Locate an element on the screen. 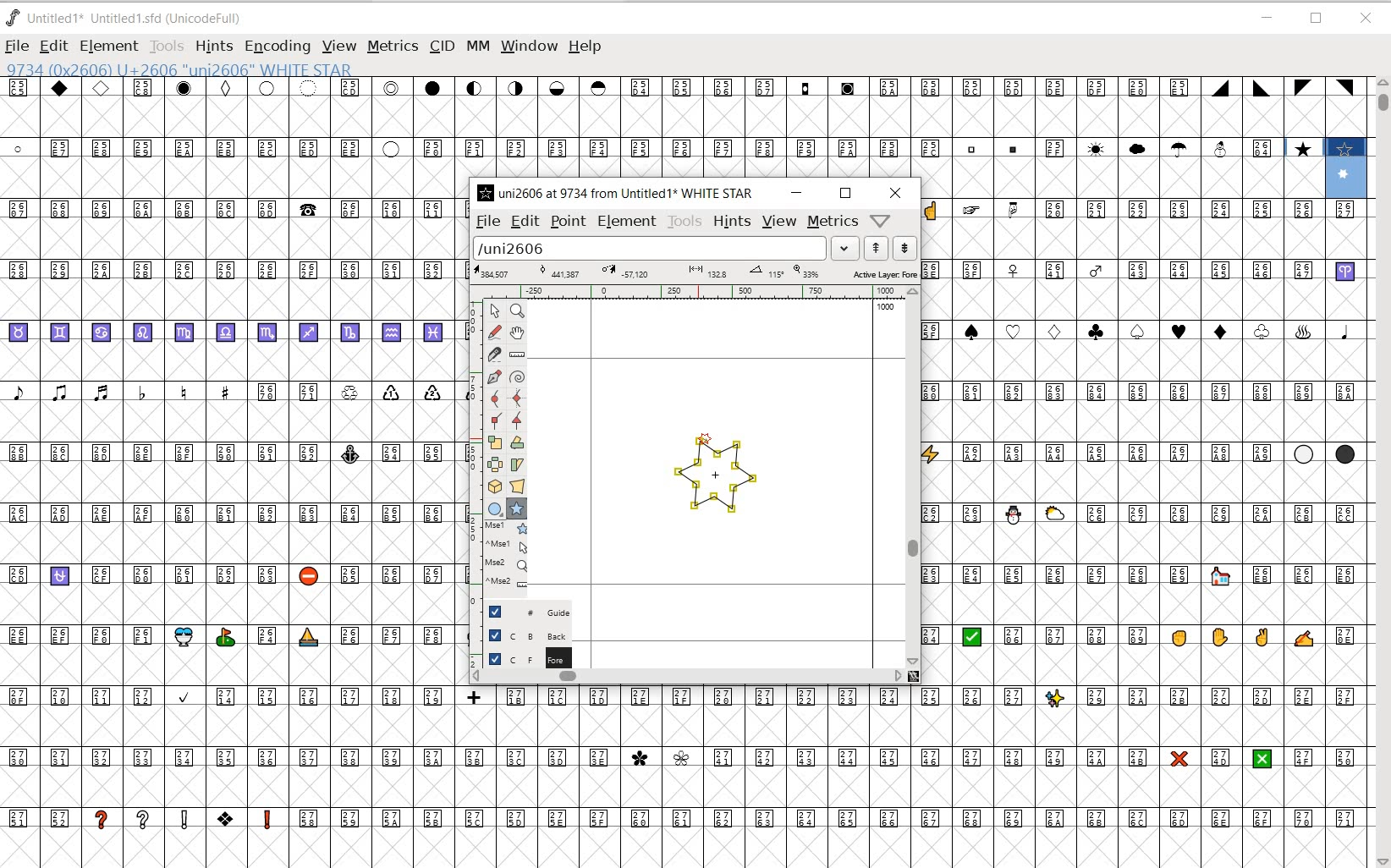 The height and width of the screenshot is (868, 1391). ACTIVE LAYER is located at coordinates (695, 272).